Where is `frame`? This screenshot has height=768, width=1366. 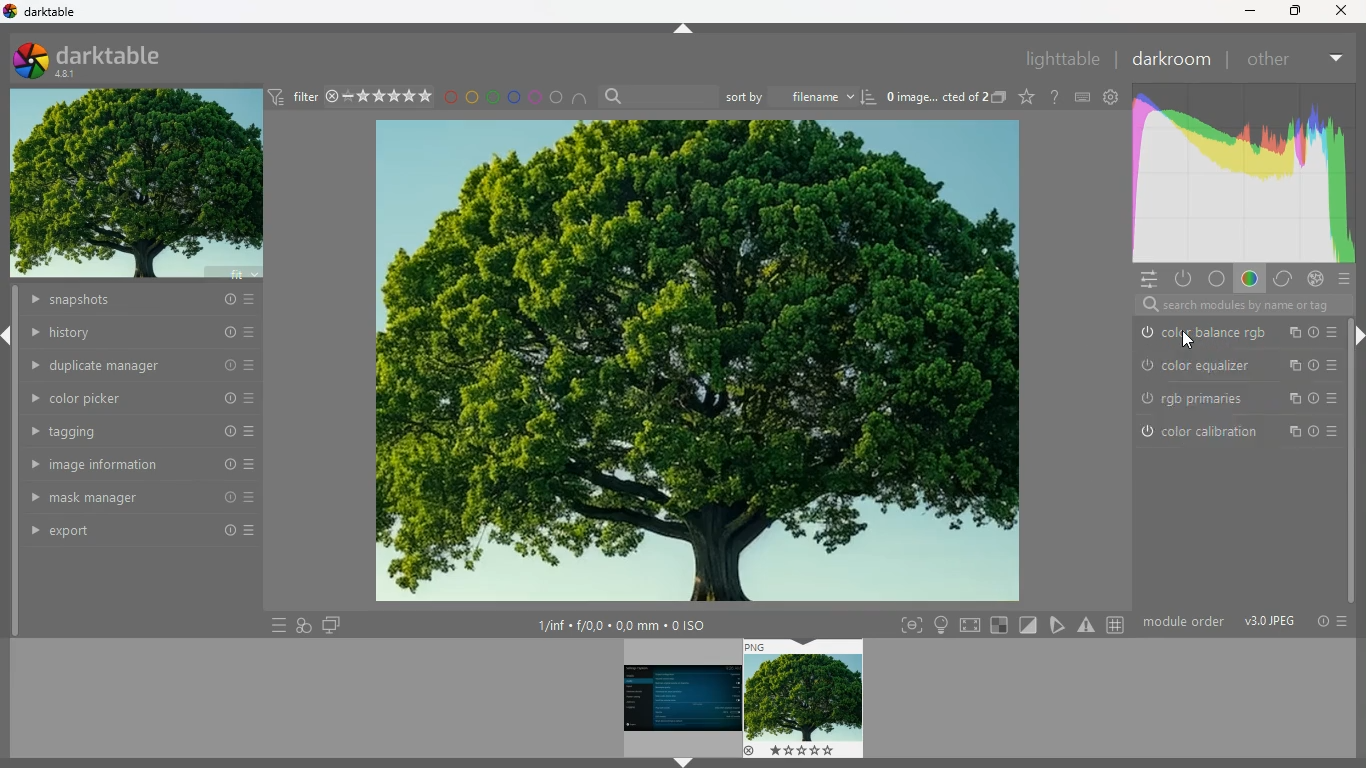 frame is located at coordinates (907, 626).